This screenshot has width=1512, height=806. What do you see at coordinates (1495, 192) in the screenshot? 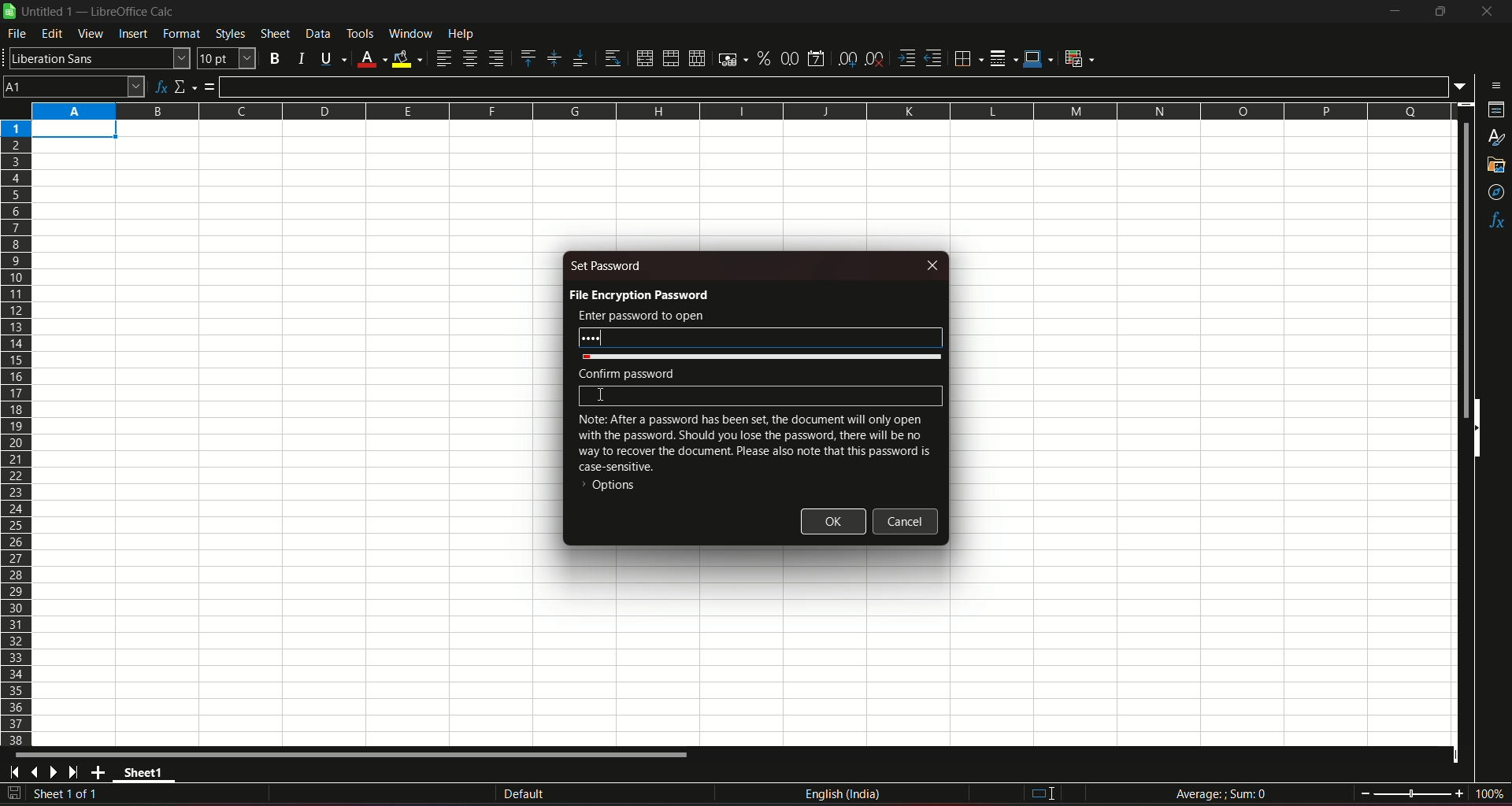
I see `navigator` at bounding box center [1495, 192].